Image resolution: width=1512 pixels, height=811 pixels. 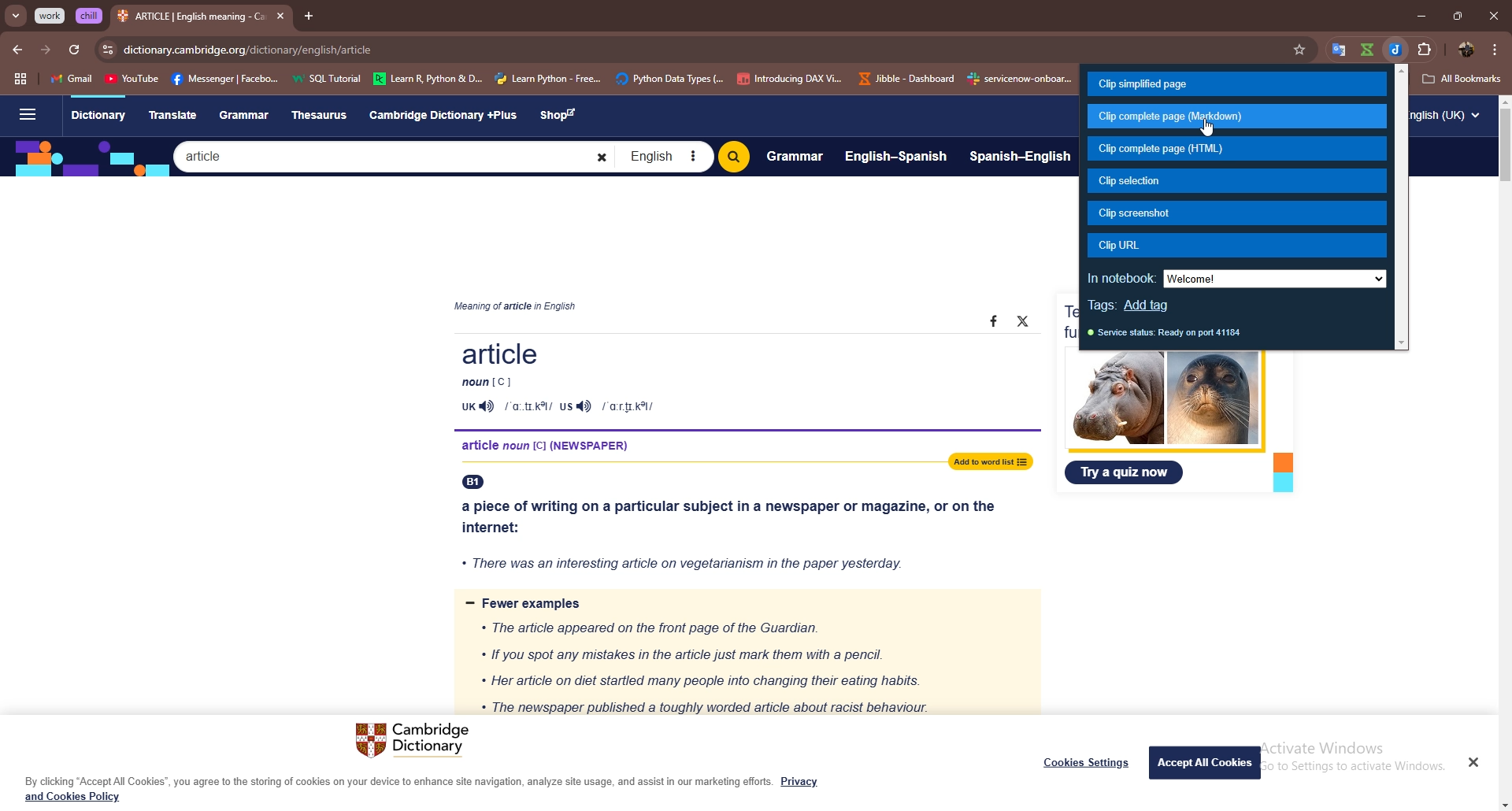 What do you see at coordinates (1206, 761) in the screenshot?
I see ` Accept All Cookies` at bounding box center [1206, 761].